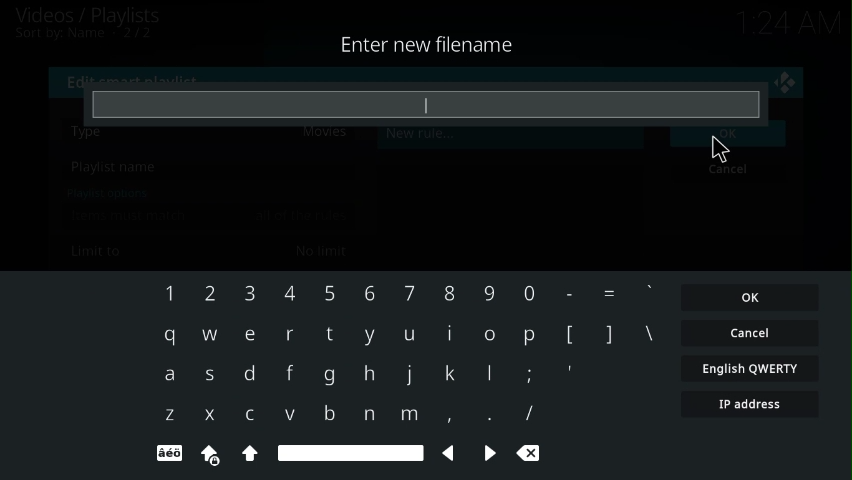 This screenshot has height=480, width=852. Describe the element at coordinates (568, 378) in the screenshot. I see `'` at that location.